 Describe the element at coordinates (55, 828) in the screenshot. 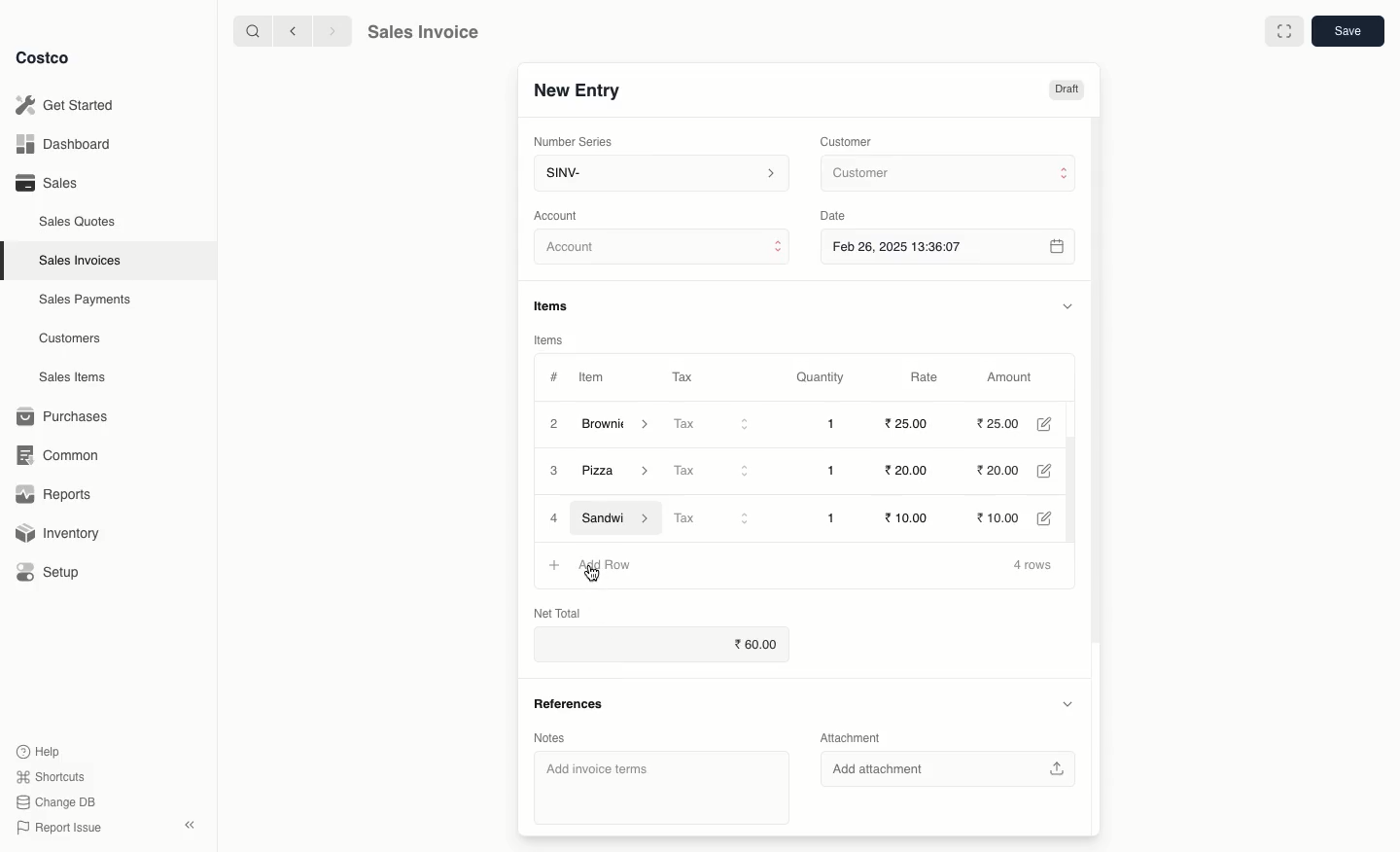

I see `Report Issue` at that location.